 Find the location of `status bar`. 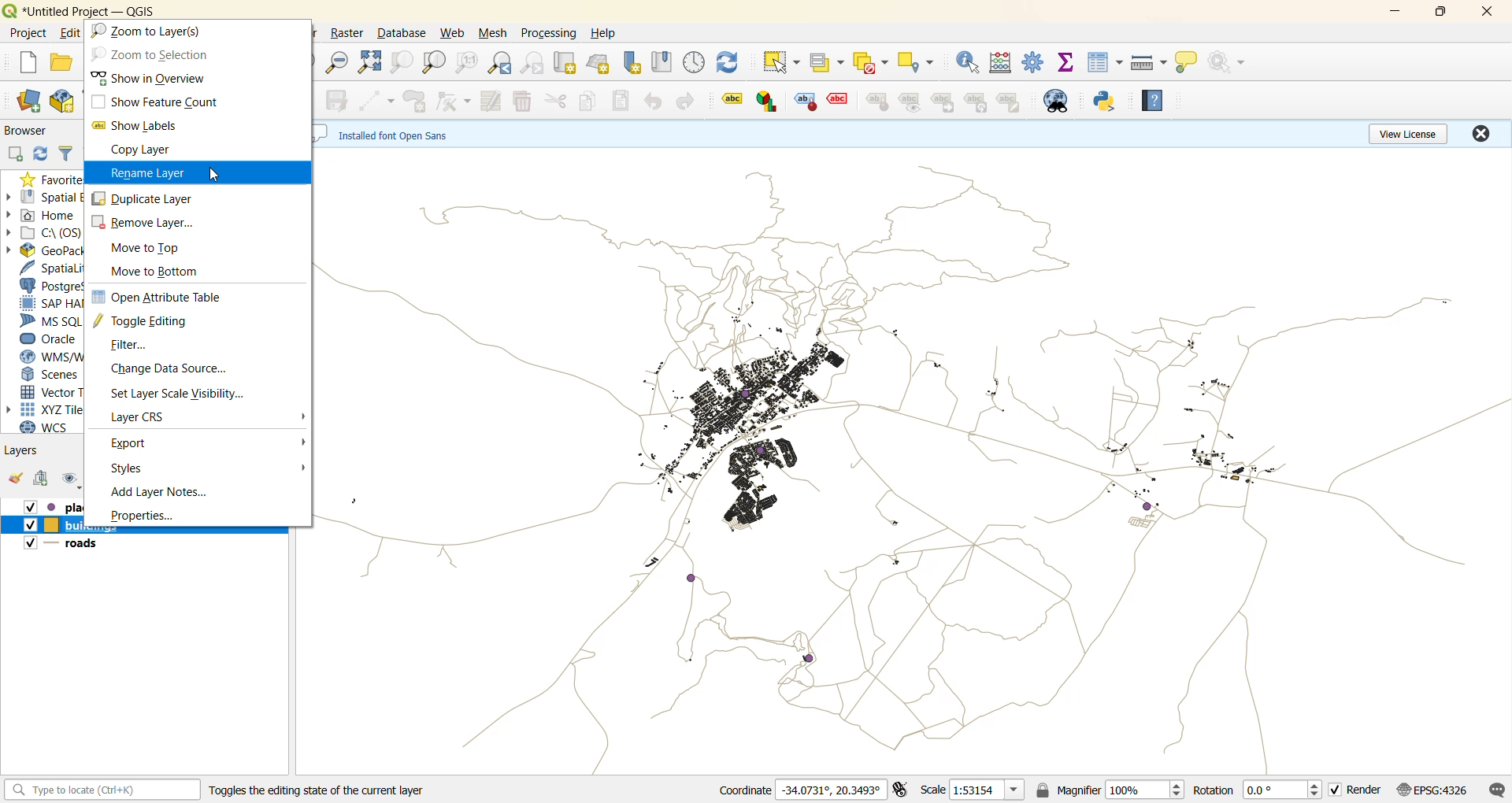

status bar is located at coordinates (98, 790).